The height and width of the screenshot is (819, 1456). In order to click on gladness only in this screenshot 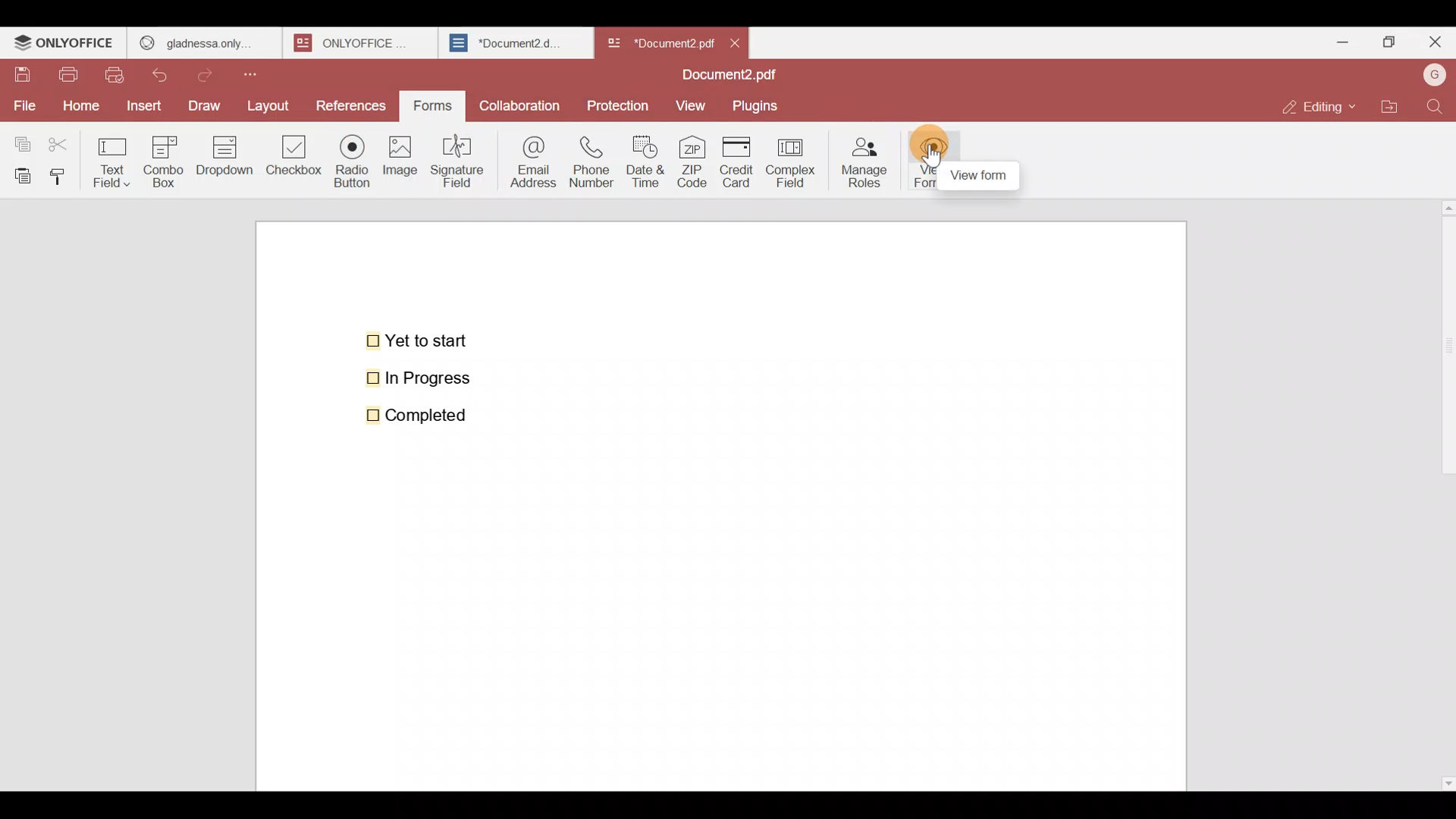, I will do `click(203, 39)`.